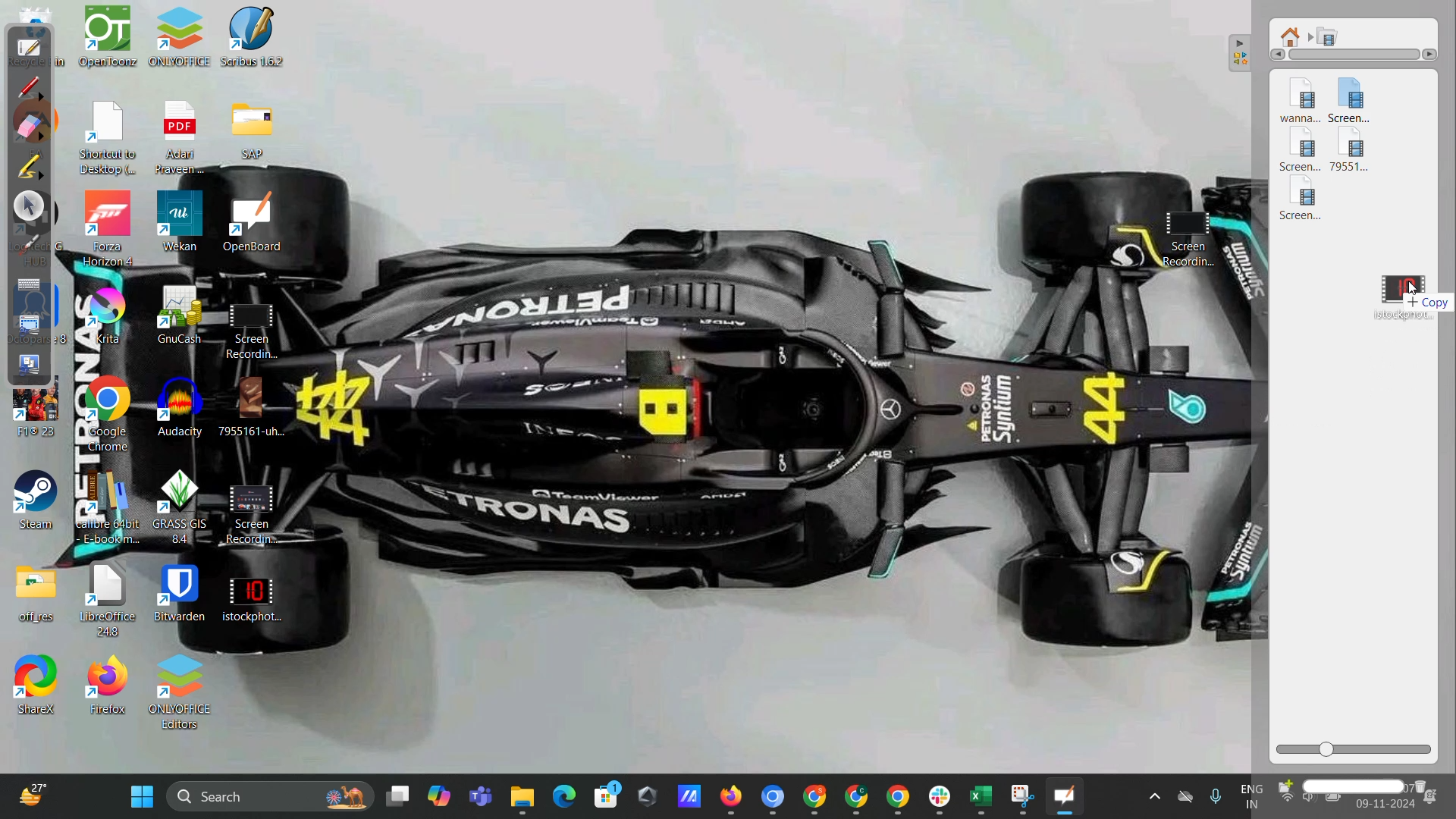  What do you see at coordinates (1185, 796) in the screenshot?
I see `One drive` at bounding box center [1185, 796].